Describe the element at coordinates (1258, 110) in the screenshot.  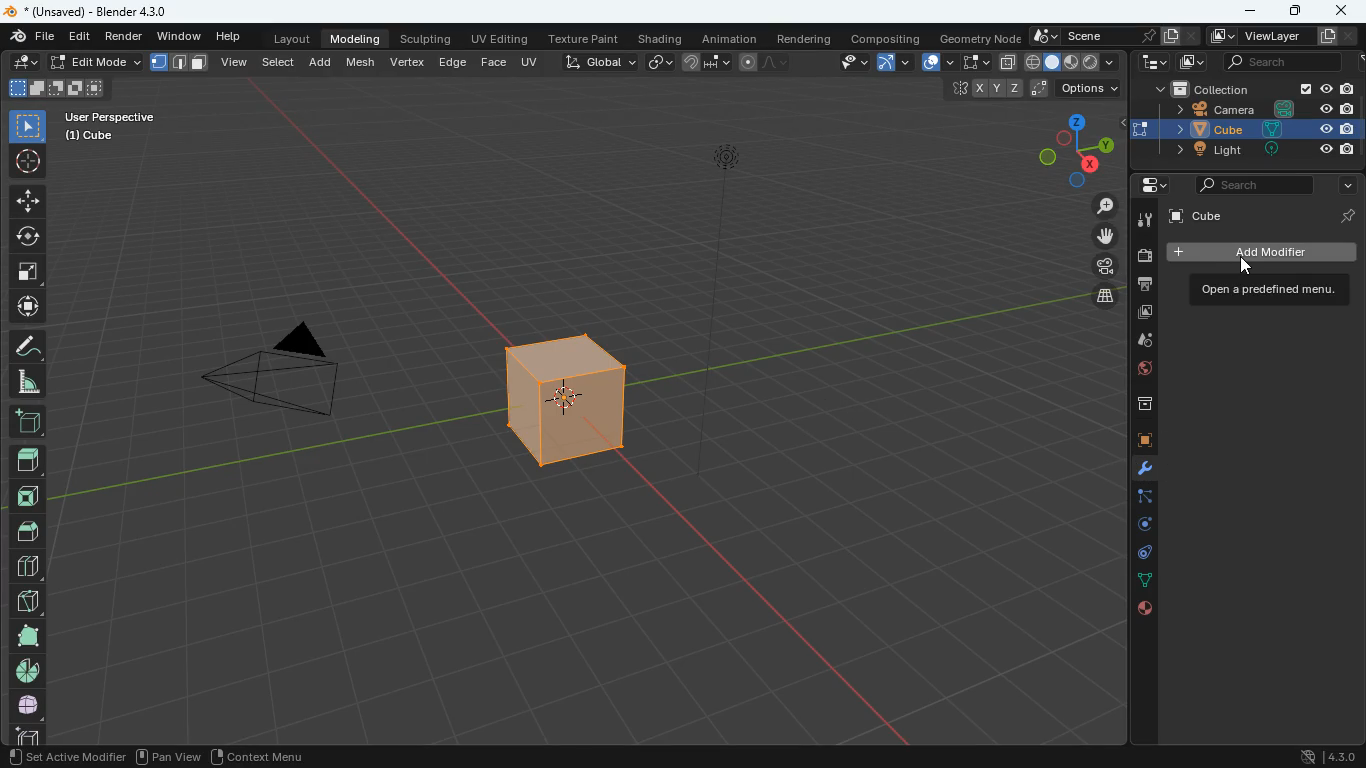
I see `camera` at that location.